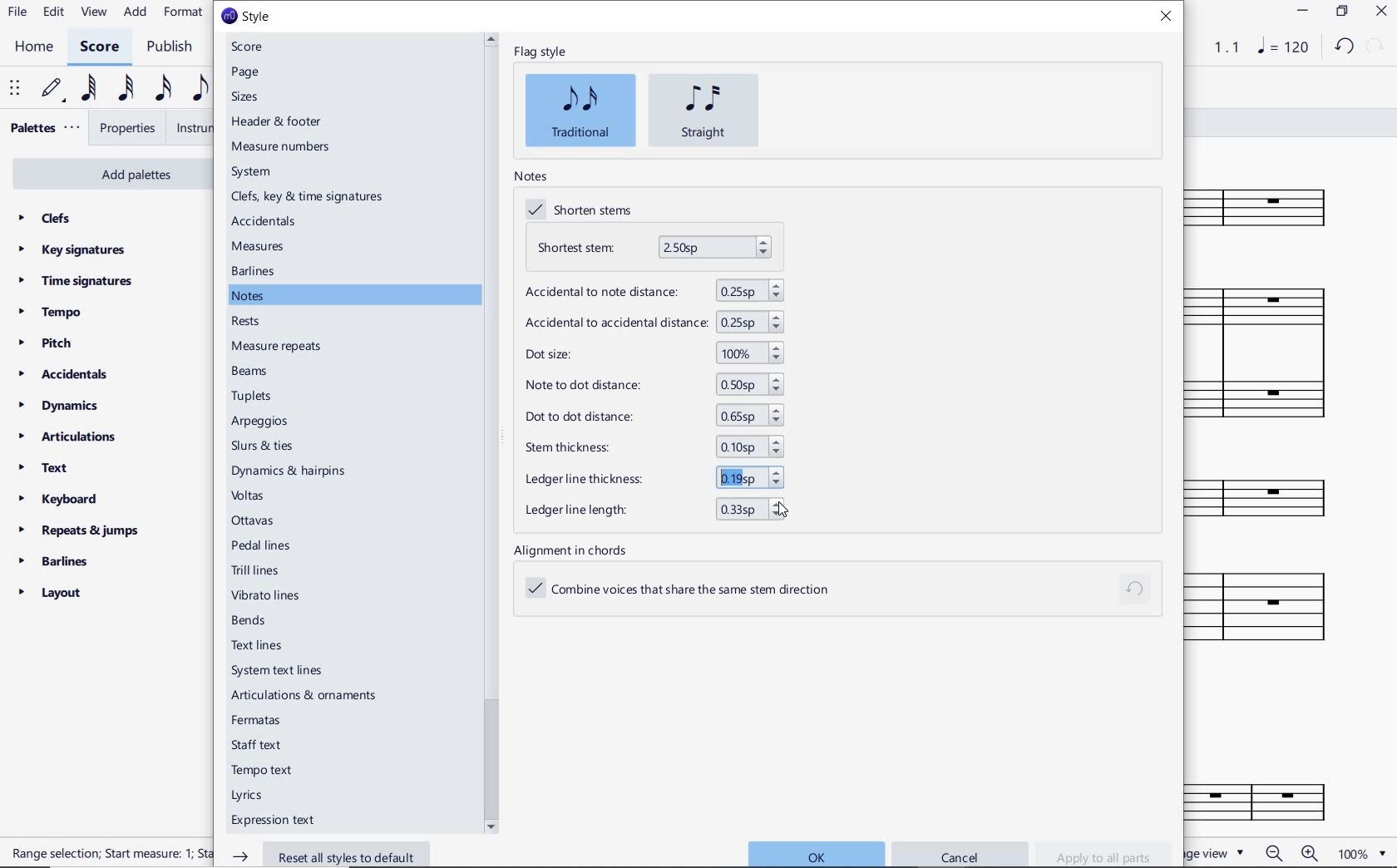 The image size is (1397, 868). Describe the element at coordinates (53, 91) in the screenshot. I see `default (step time)` at that location.